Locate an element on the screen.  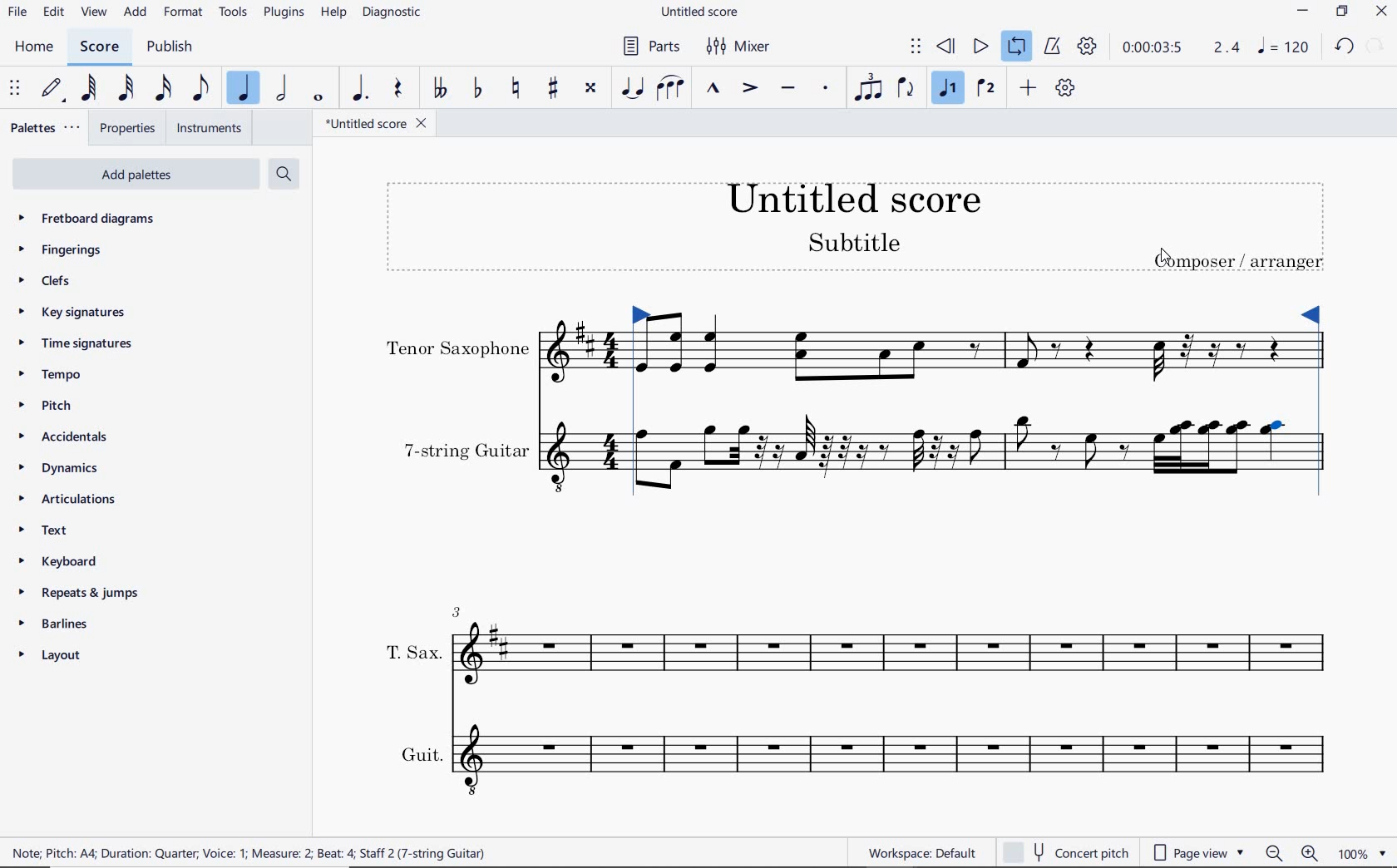
VOICE 2 is located at coordinates (988, 89).